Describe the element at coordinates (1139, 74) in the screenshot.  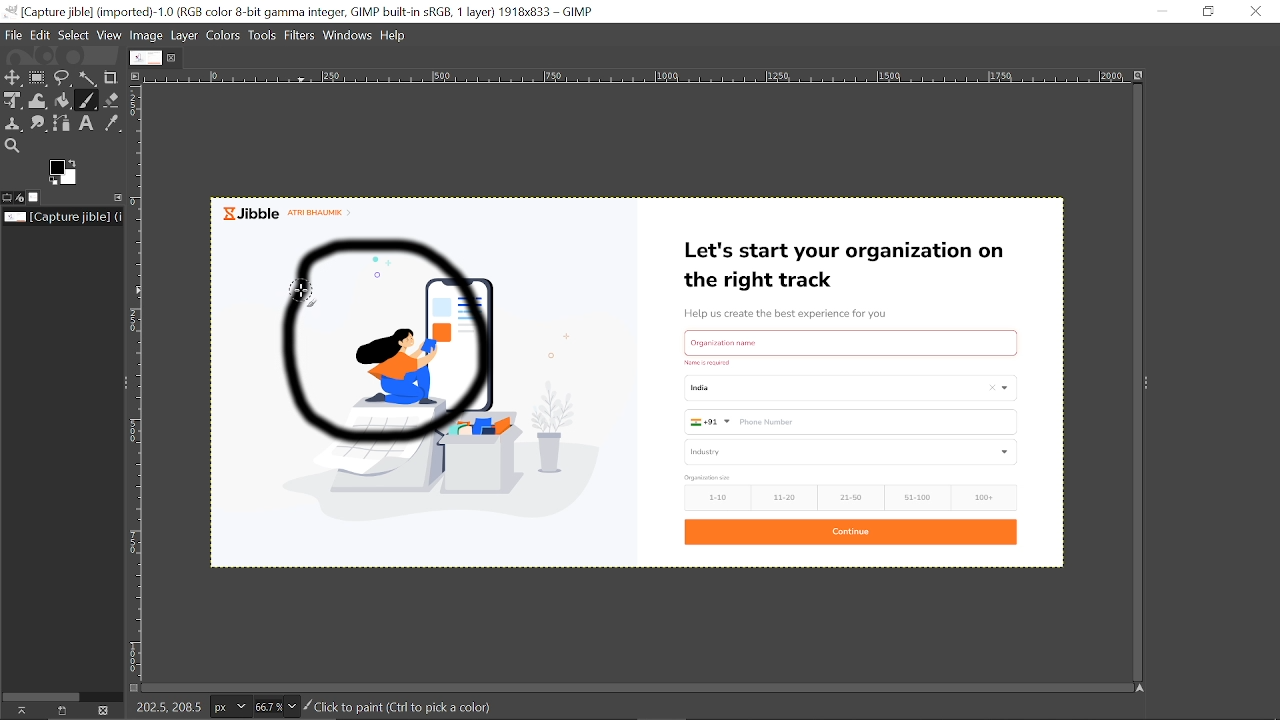
I see `Zoom images when window size changes` at that location.